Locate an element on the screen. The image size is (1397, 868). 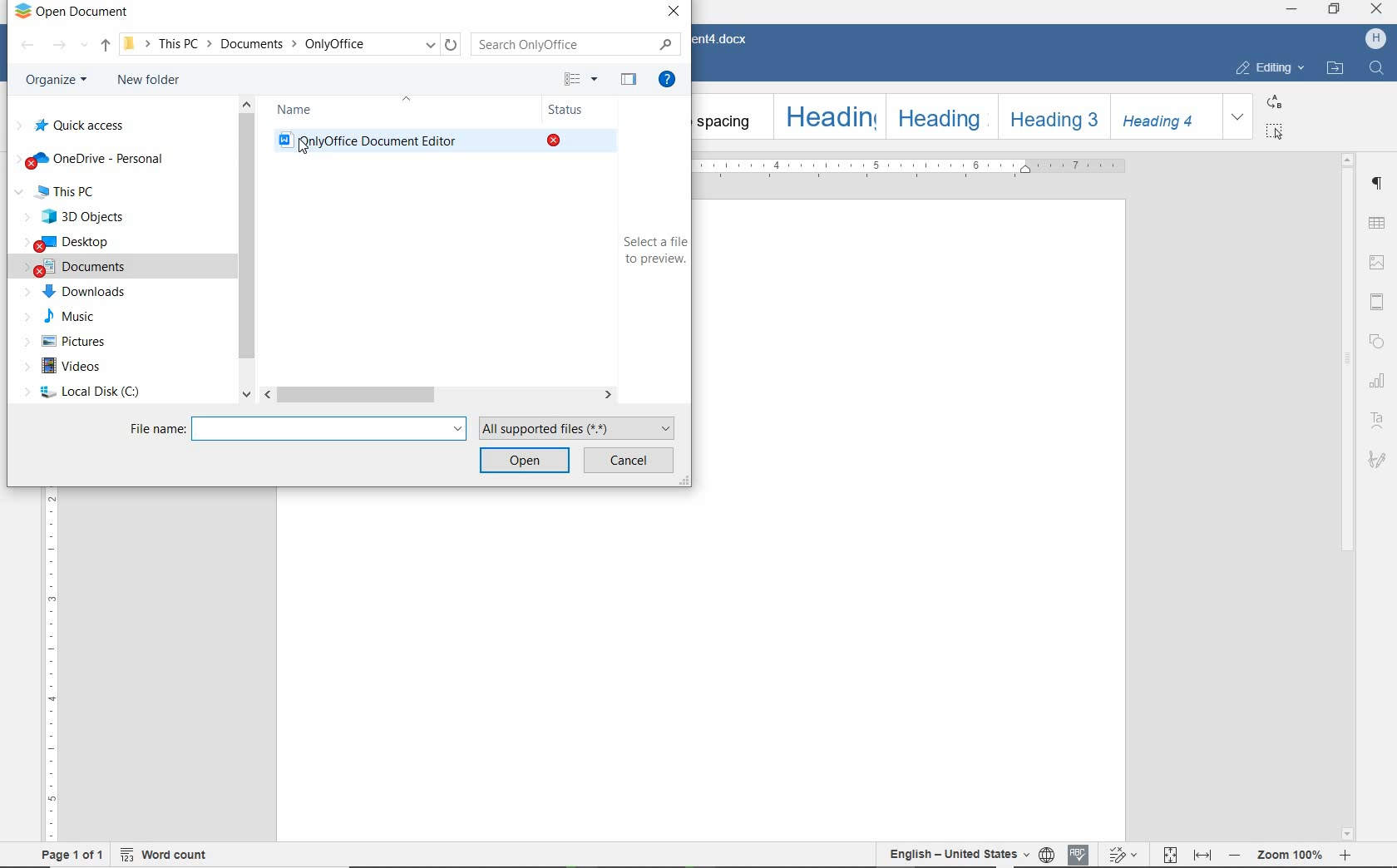
Refresh is located at coordinates (452, 52).